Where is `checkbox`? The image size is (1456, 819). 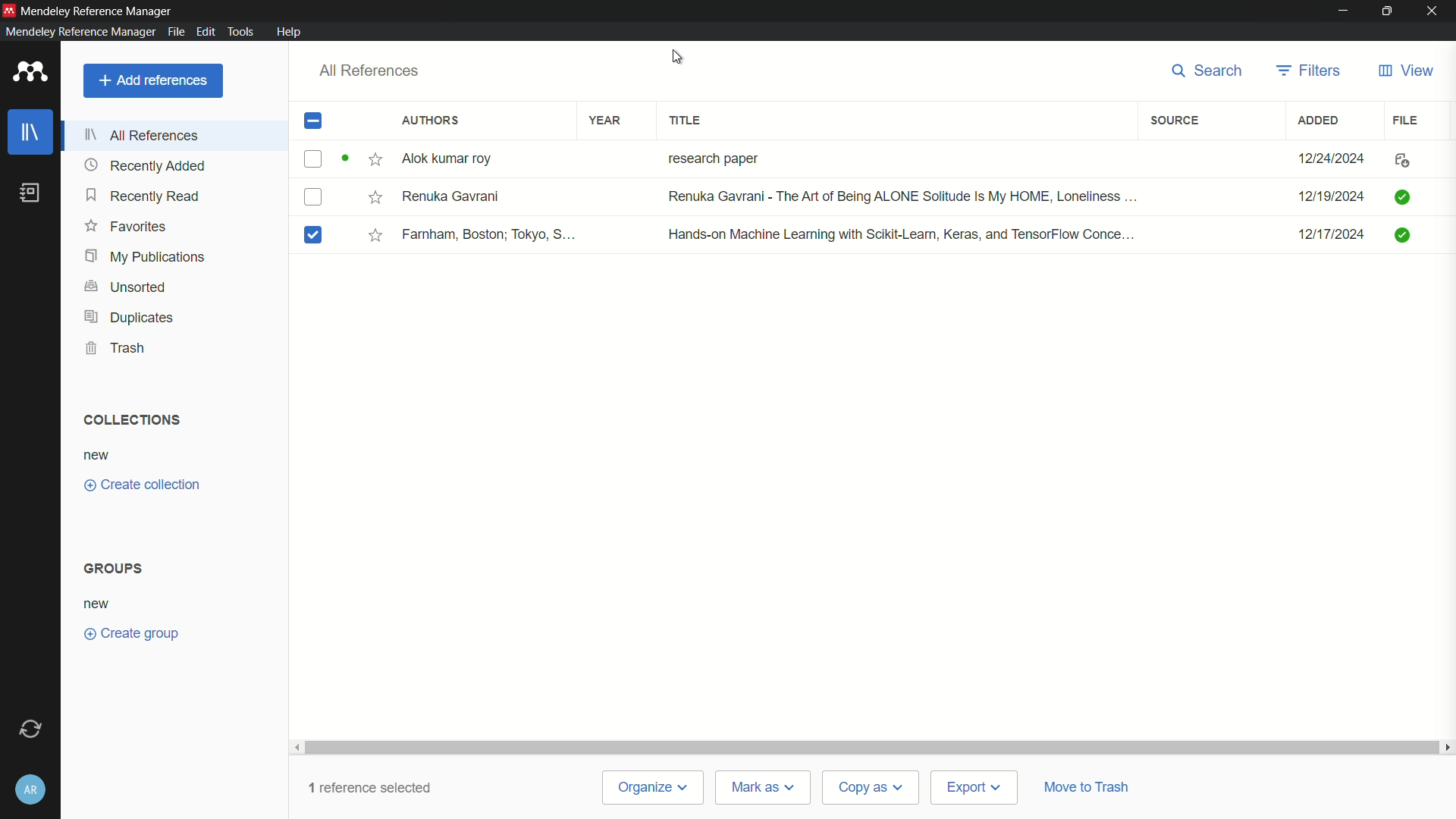
checkbox is located at coordinates (314, 159).